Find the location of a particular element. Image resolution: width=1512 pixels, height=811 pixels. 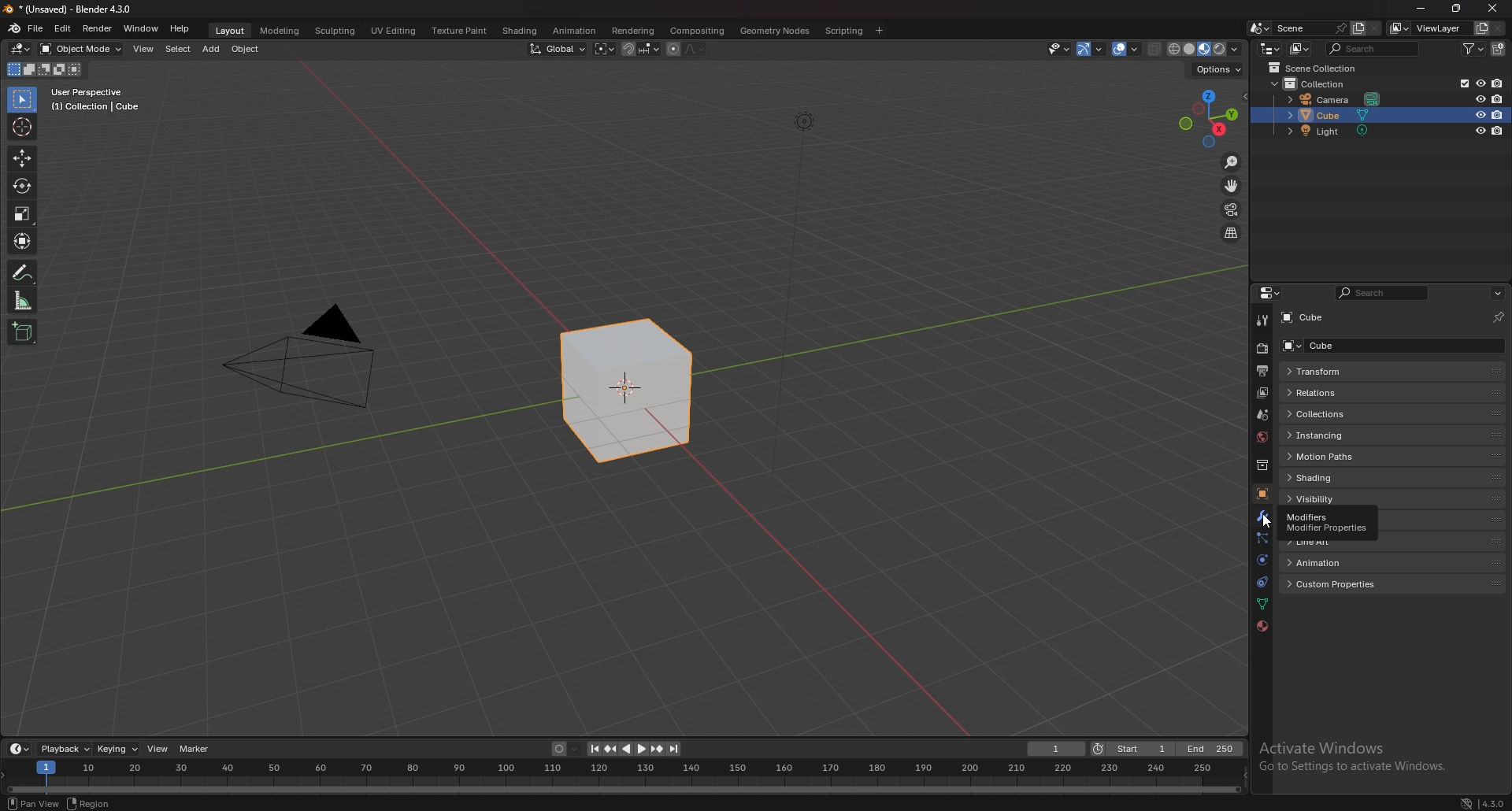

add collection is located at coordinates (1498, 49).